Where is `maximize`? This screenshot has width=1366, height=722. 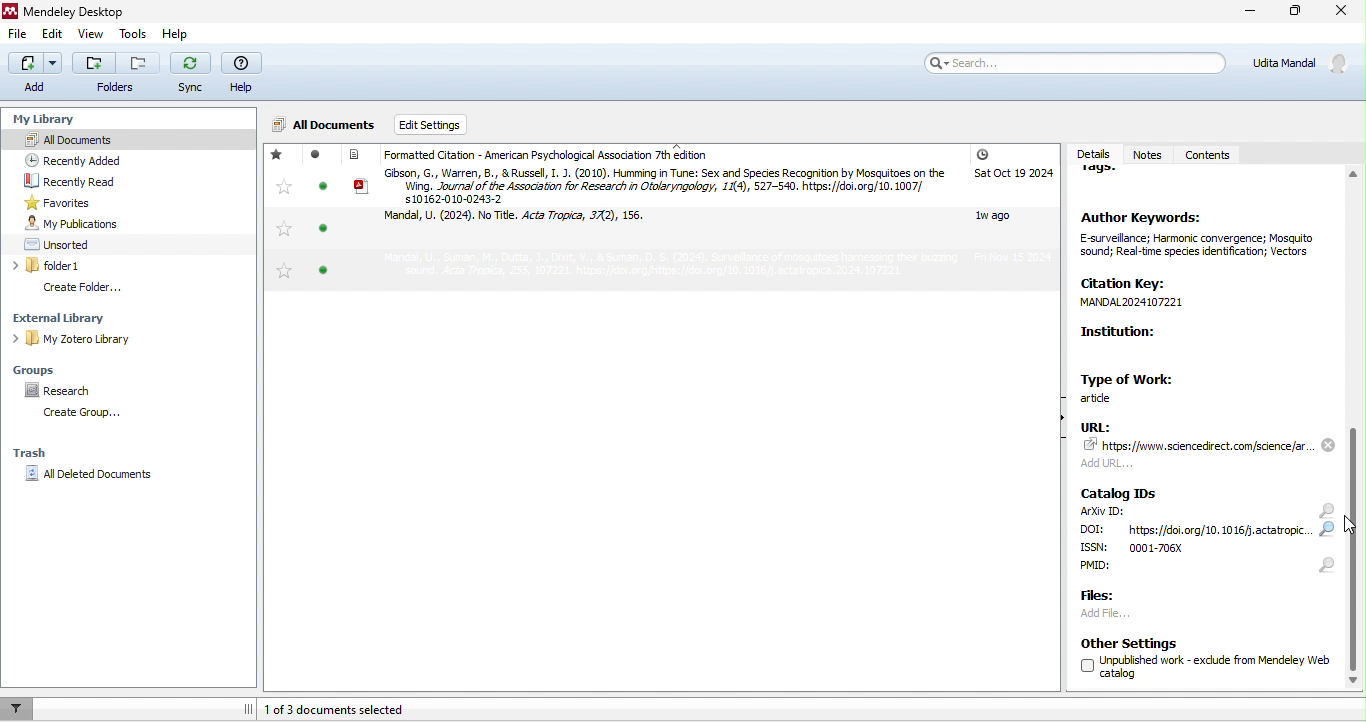
maximize is located at coordinates (1291, 14).